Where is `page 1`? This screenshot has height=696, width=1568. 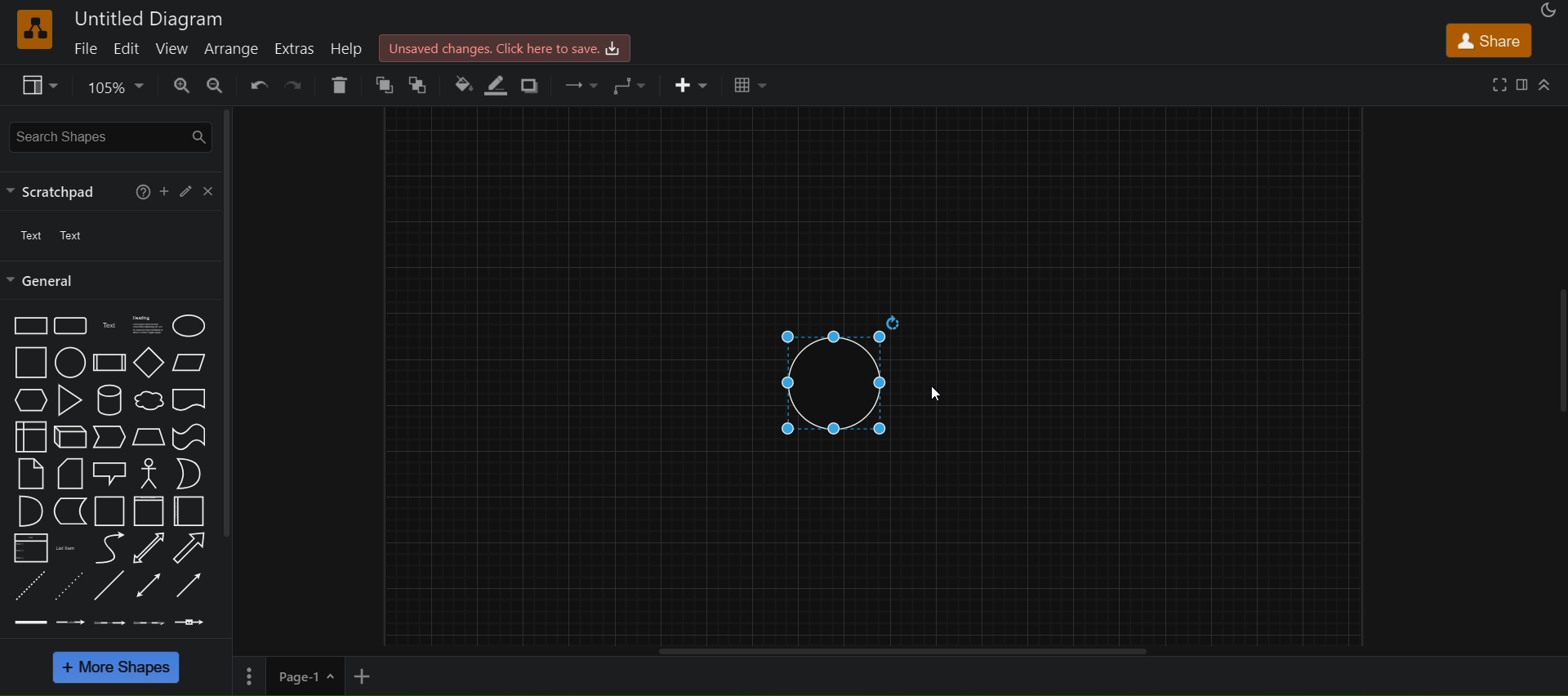 page 1 is located at coordinates (291, 676).